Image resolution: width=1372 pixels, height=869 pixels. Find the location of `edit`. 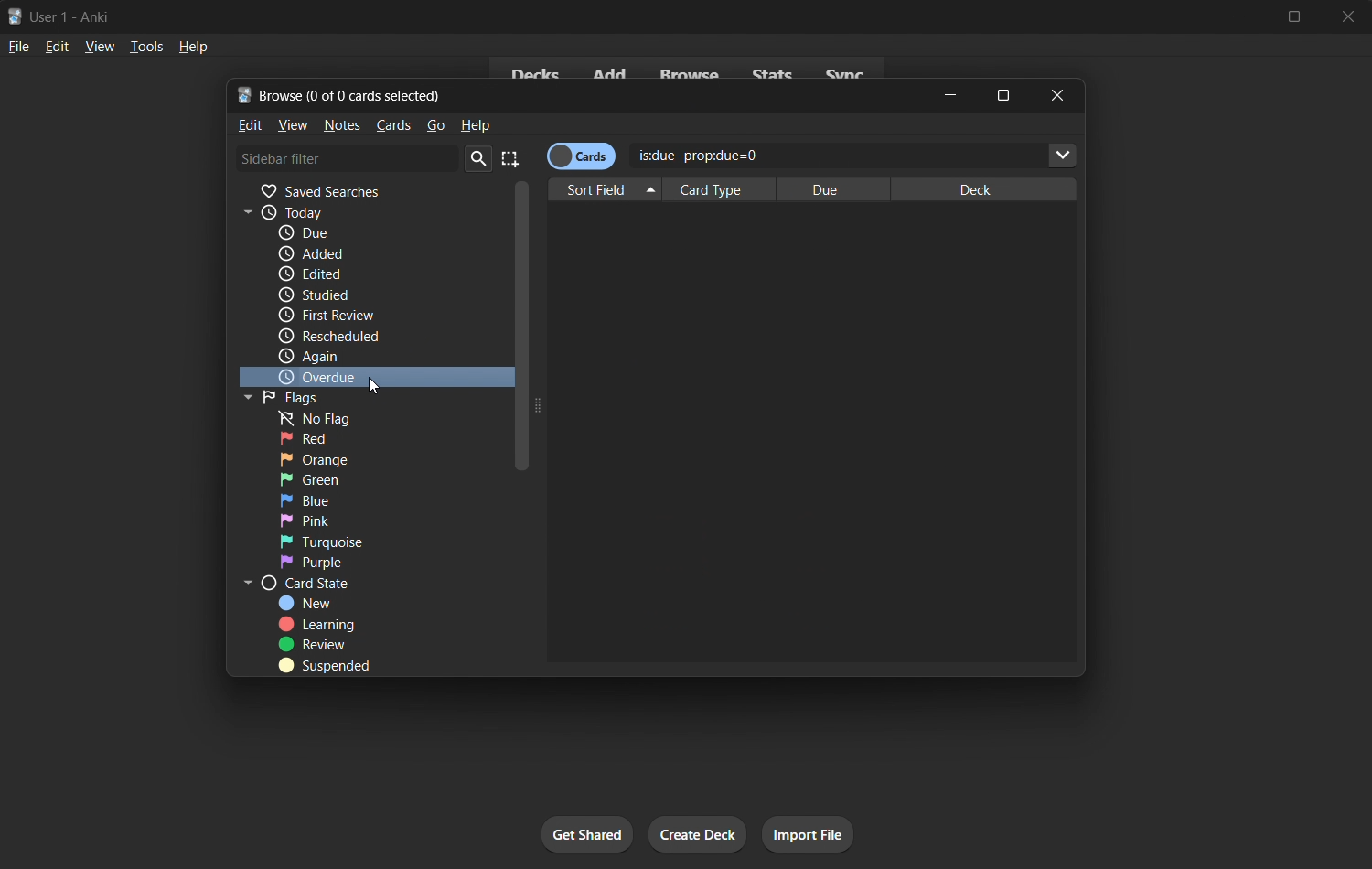

edit is located at coordinates (251, 124).